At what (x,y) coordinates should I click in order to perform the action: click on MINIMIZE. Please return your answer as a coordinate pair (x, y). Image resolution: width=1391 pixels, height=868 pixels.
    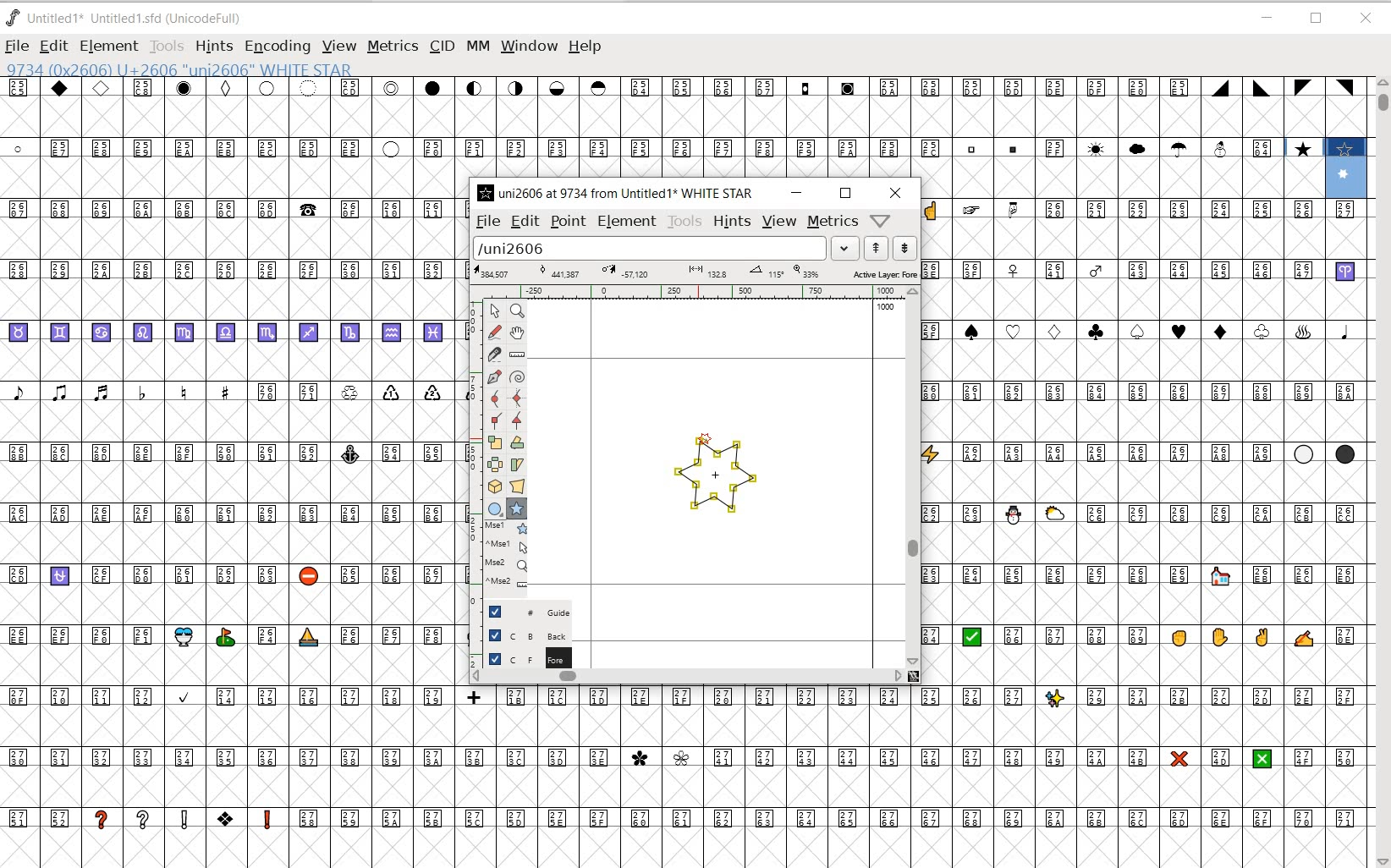
    Looking at the image, I should click on (796, 193).